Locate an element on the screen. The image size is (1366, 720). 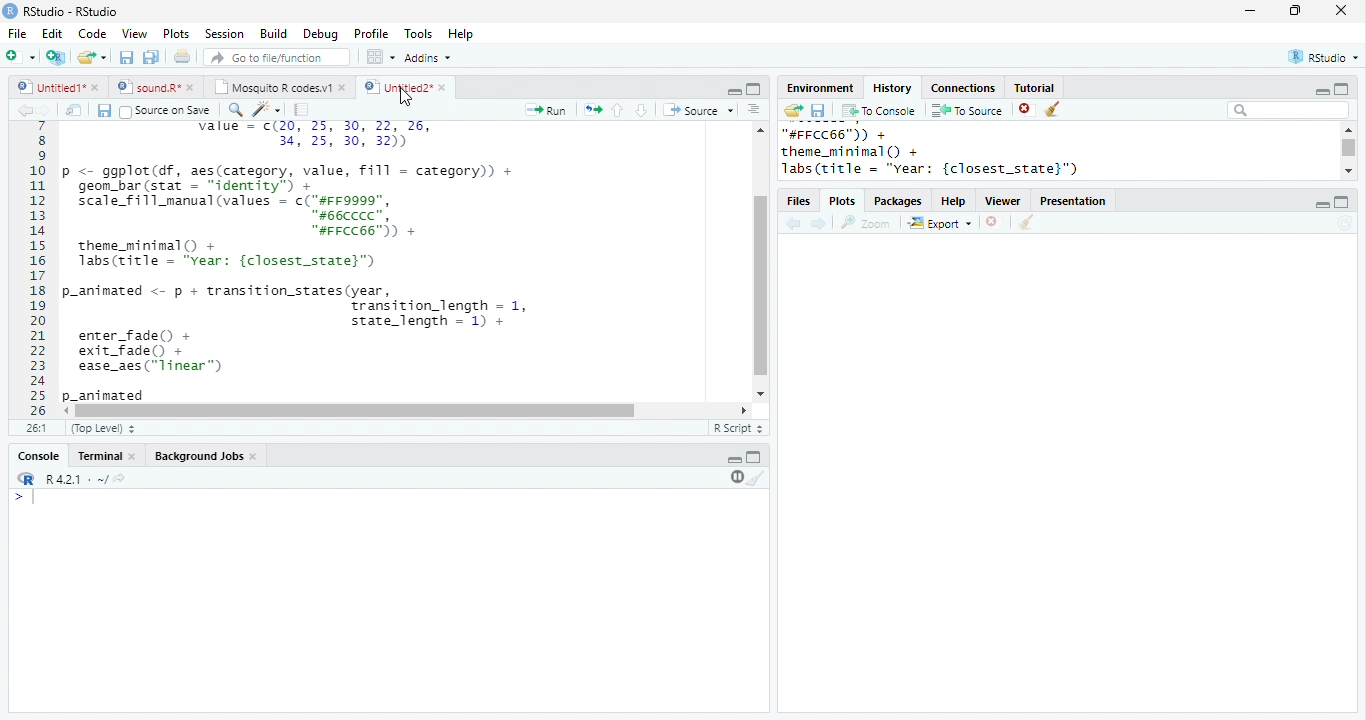
Help is located at coordinates (953, 201).